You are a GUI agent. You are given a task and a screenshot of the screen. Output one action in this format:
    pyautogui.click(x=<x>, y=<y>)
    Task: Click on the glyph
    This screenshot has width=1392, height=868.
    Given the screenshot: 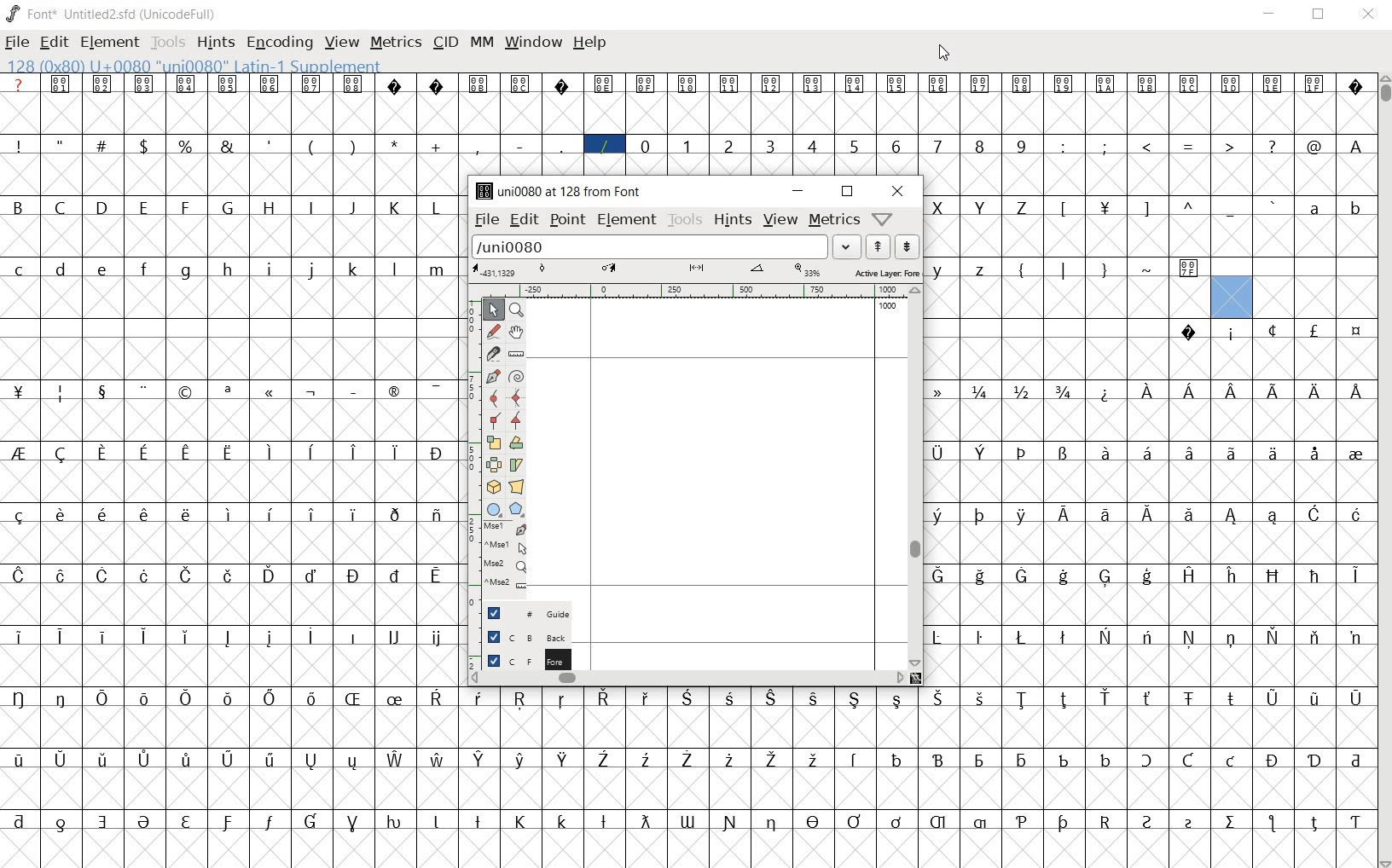 What is the action you would take?
    pyautogui.click(x=645, y=821)
    